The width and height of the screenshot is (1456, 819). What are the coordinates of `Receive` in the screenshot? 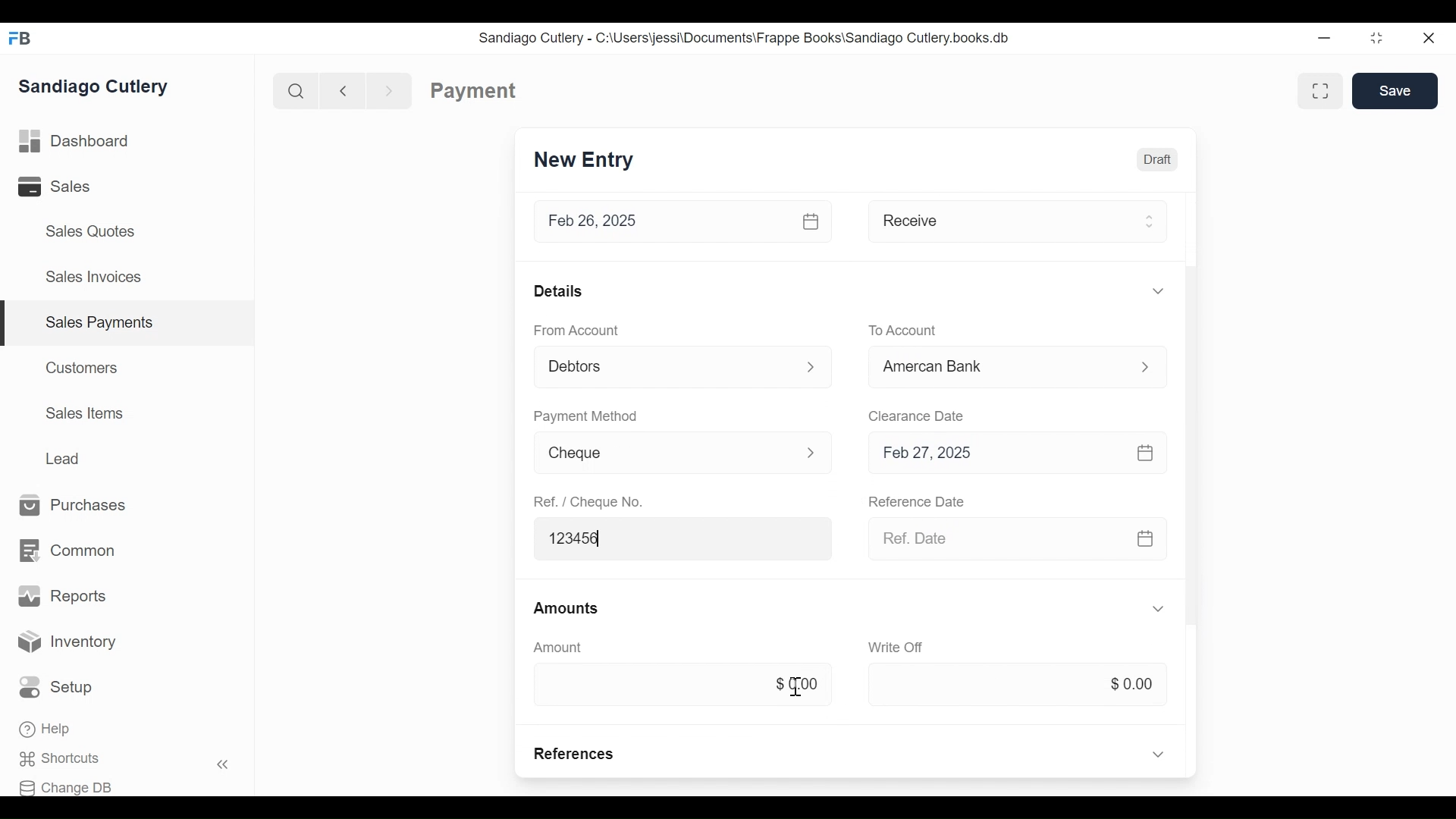 It's located at (995, 220).